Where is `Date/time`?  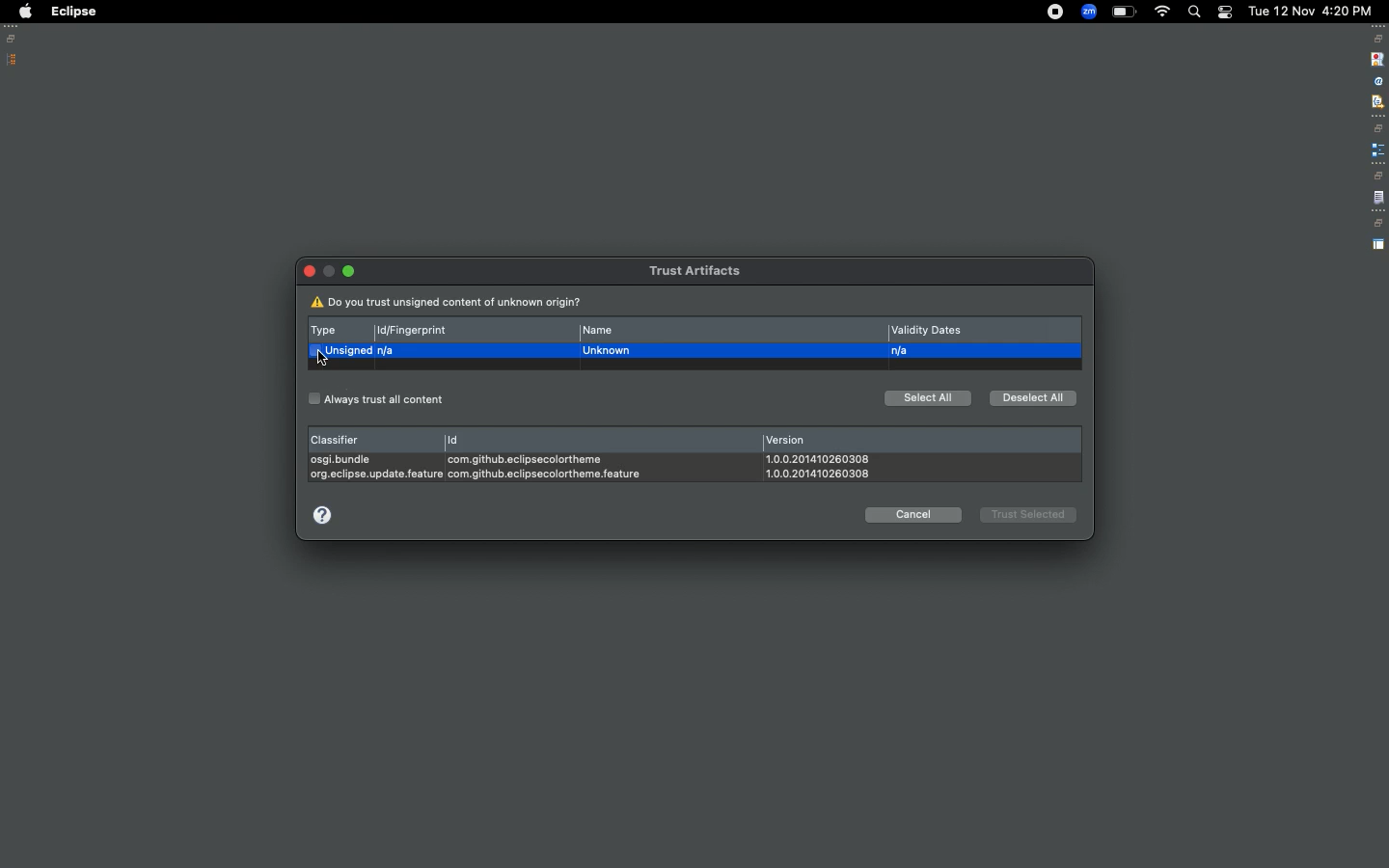 Date/time is located at coordinates (1312, 10).